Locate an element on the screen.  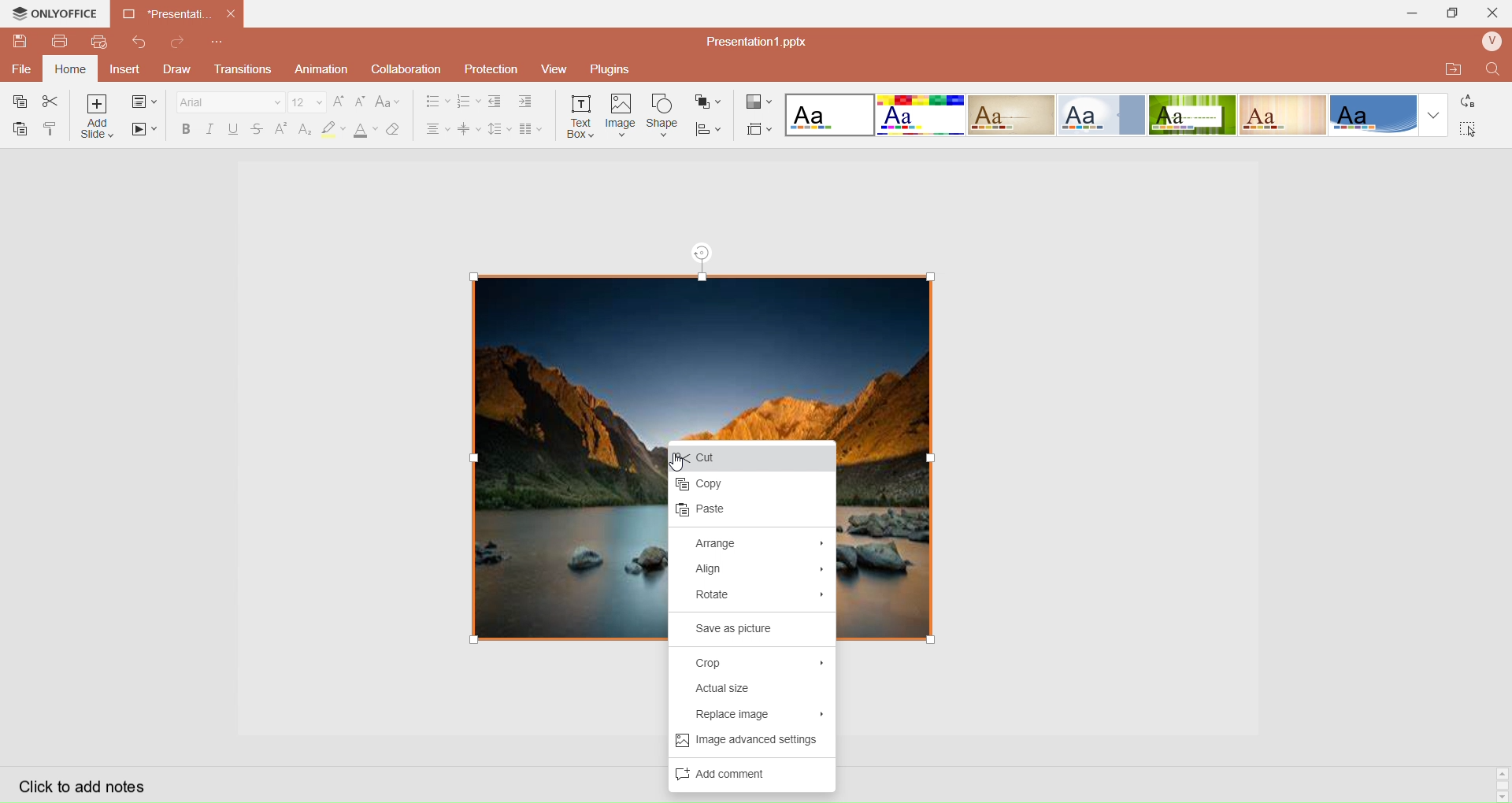
Clear Style is located at coordinates (396, 129).